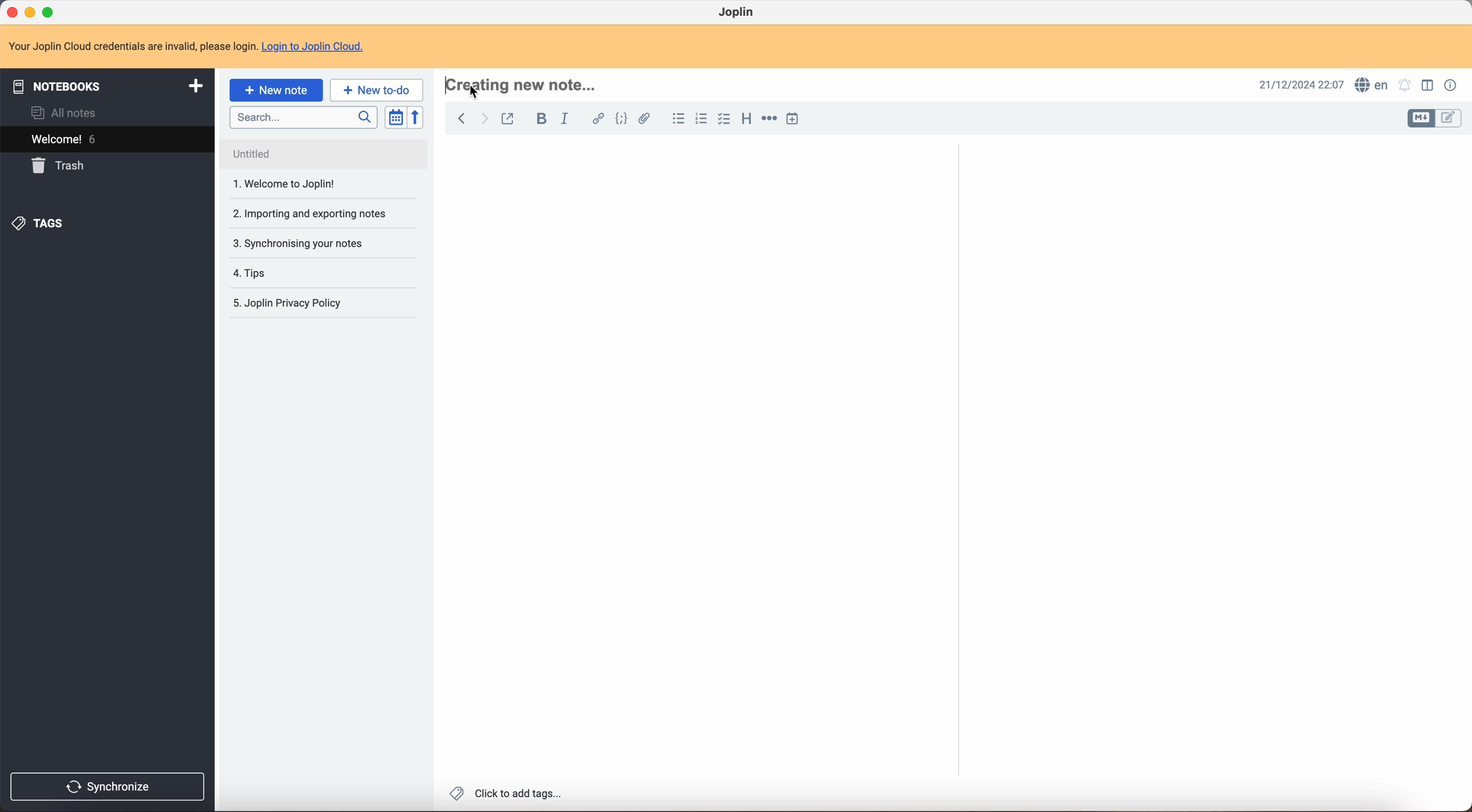 The image size is (1472, 812). What do you see at coordinates (41, 225) in the screenshot?
I see `tags` at bounding box center [41, 225].